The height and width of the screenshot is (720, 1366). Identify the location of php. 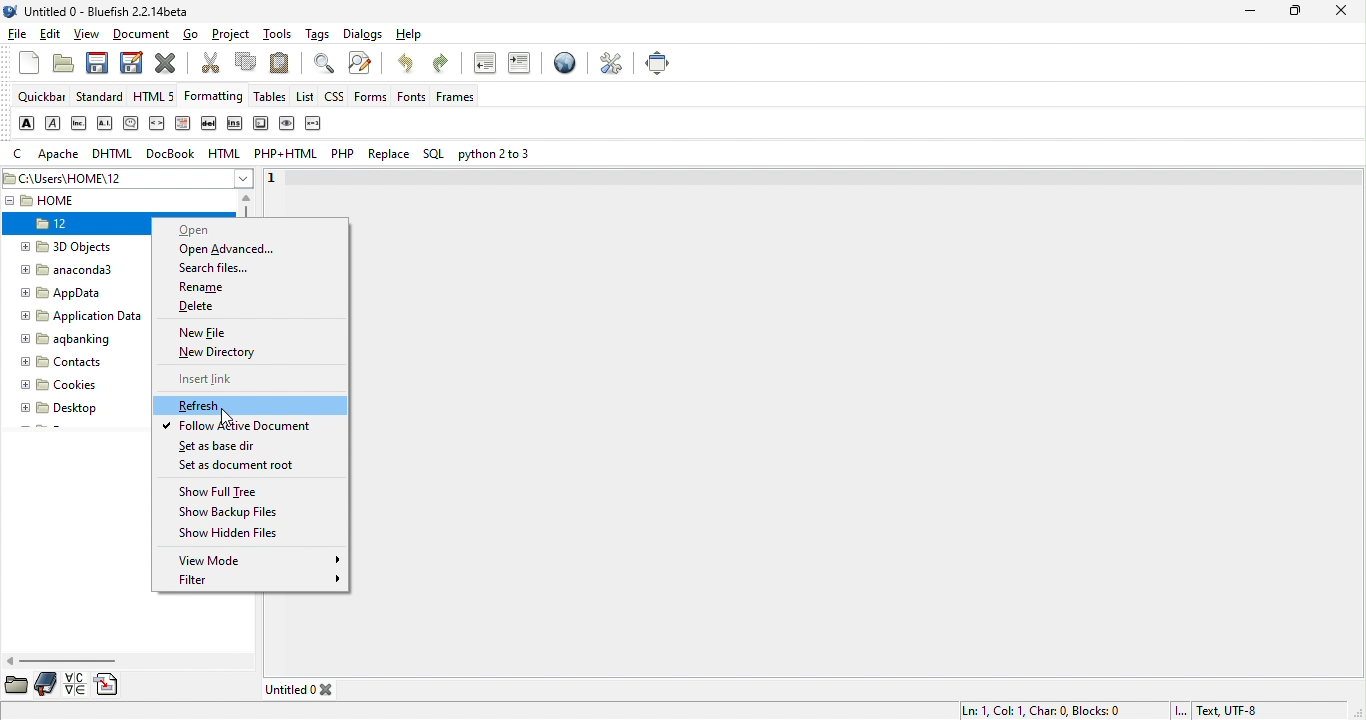
(344, 155).